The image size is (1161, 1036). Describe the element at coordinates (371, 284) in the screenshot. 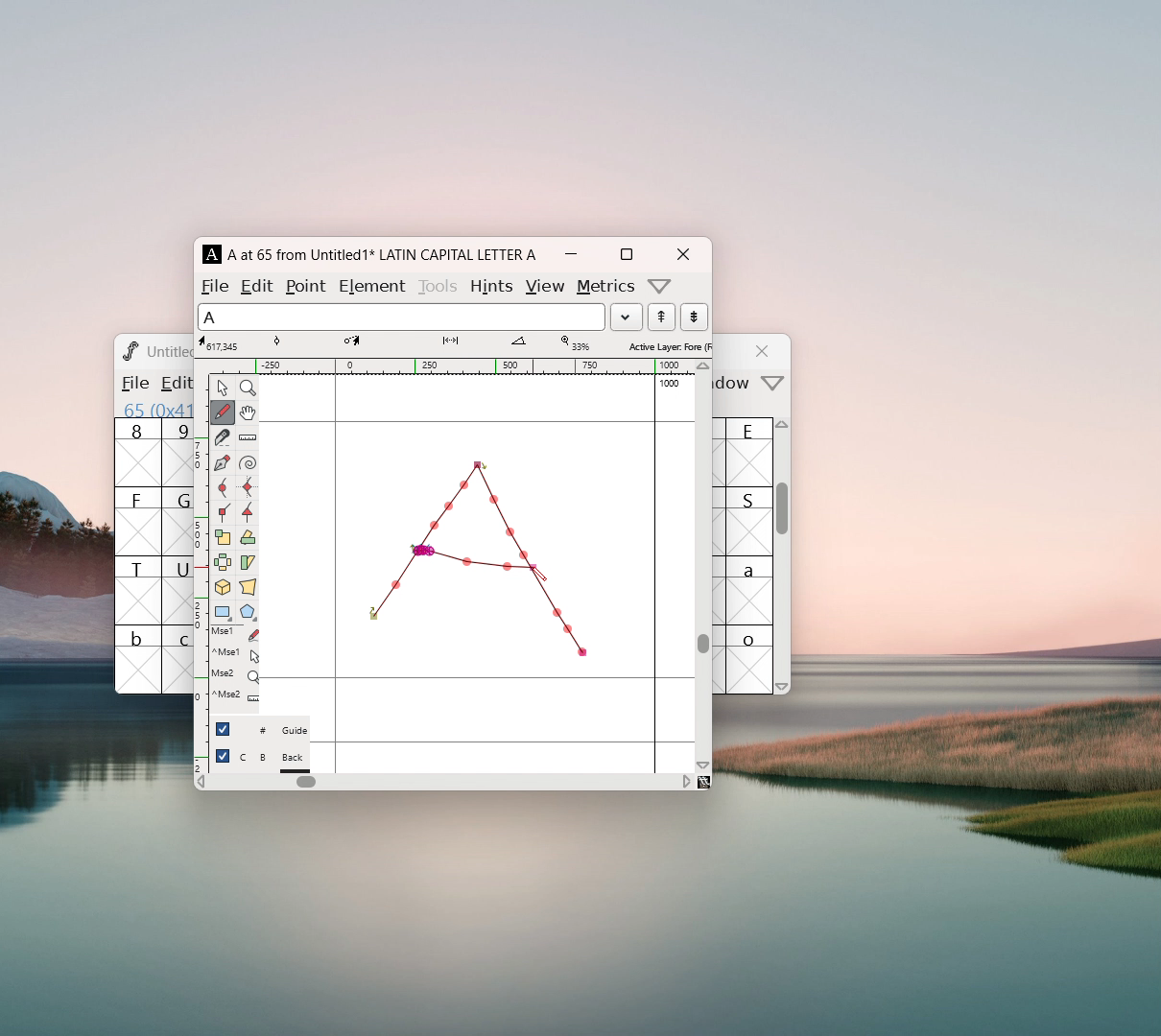

I see `element` at that location.